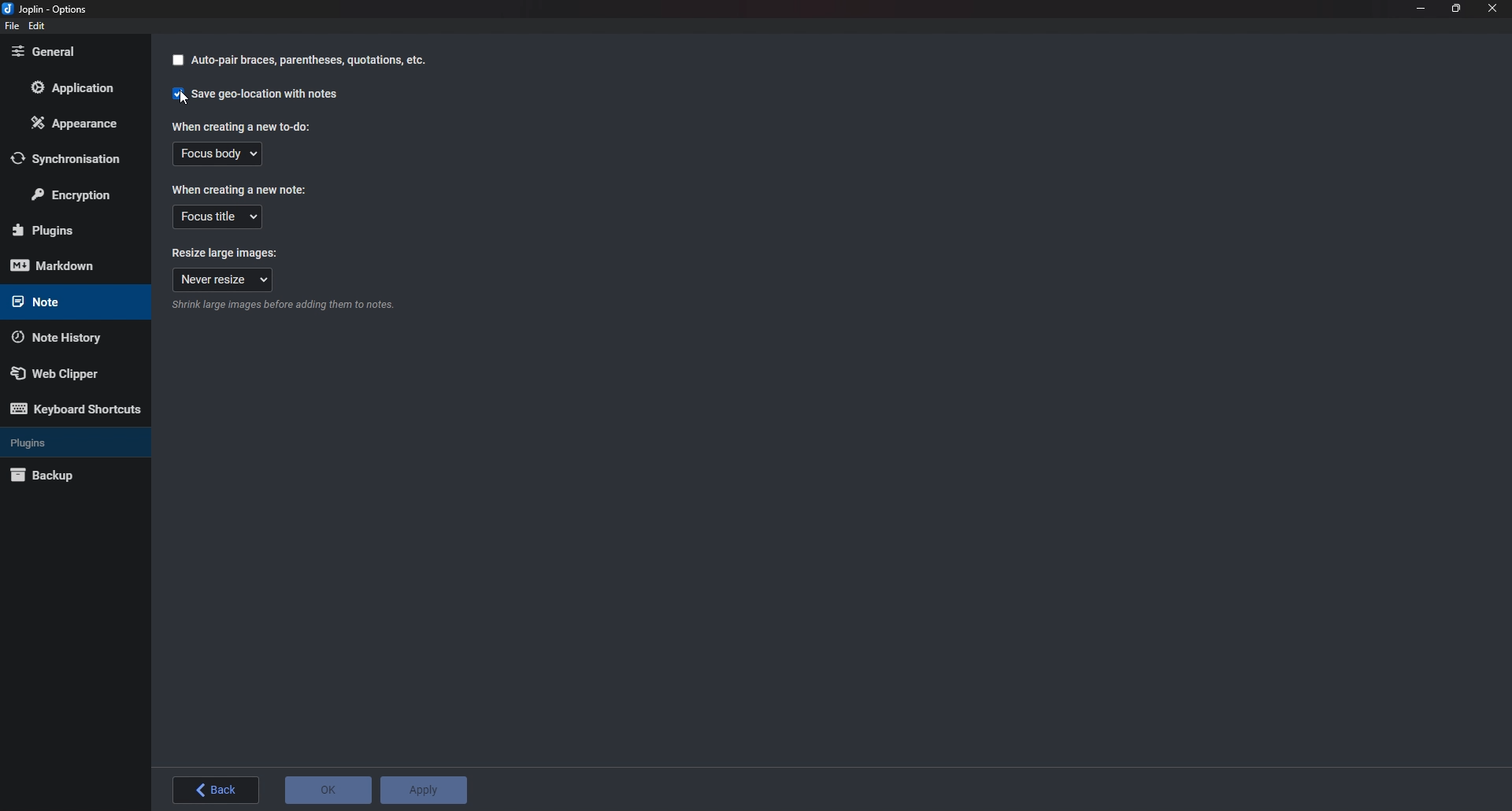 The height and width of the screenshot is (811, 1512). Describe the element at coordinates (11, 27) in the screenshot. I see `file` at that location.